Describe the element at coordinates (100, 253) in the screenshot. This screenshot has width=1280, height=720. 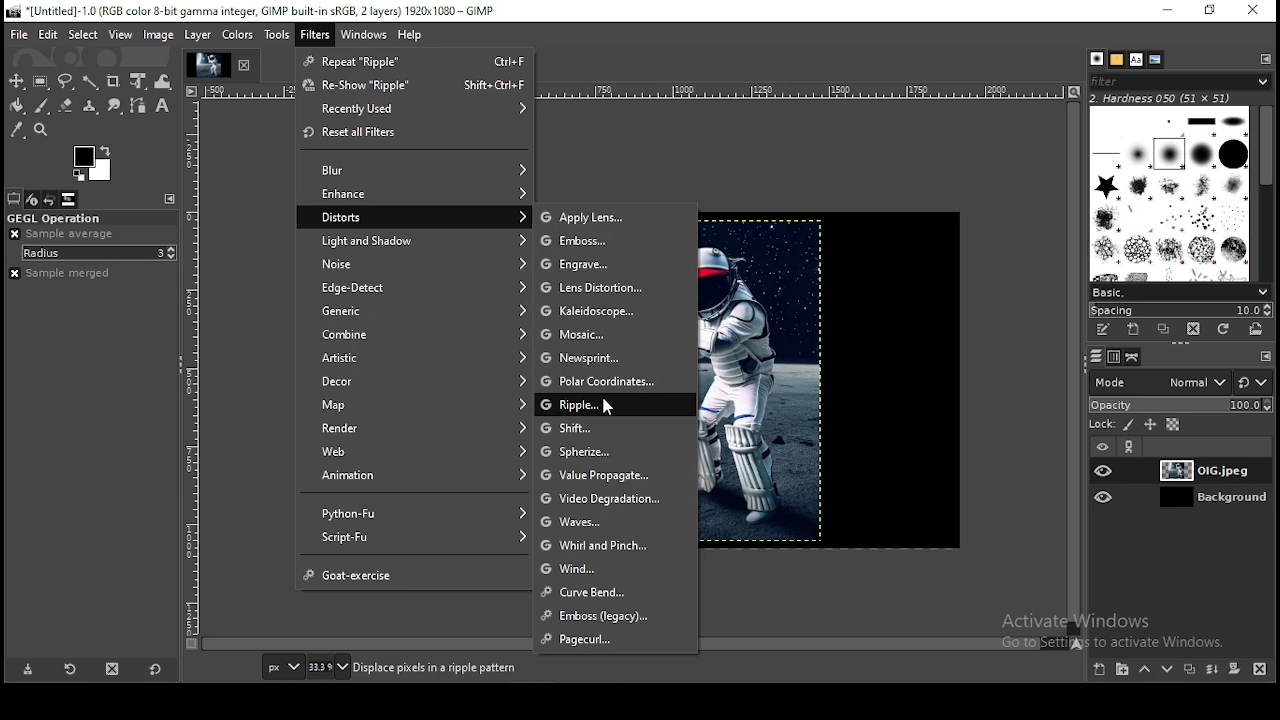
I see `radius` at that location.